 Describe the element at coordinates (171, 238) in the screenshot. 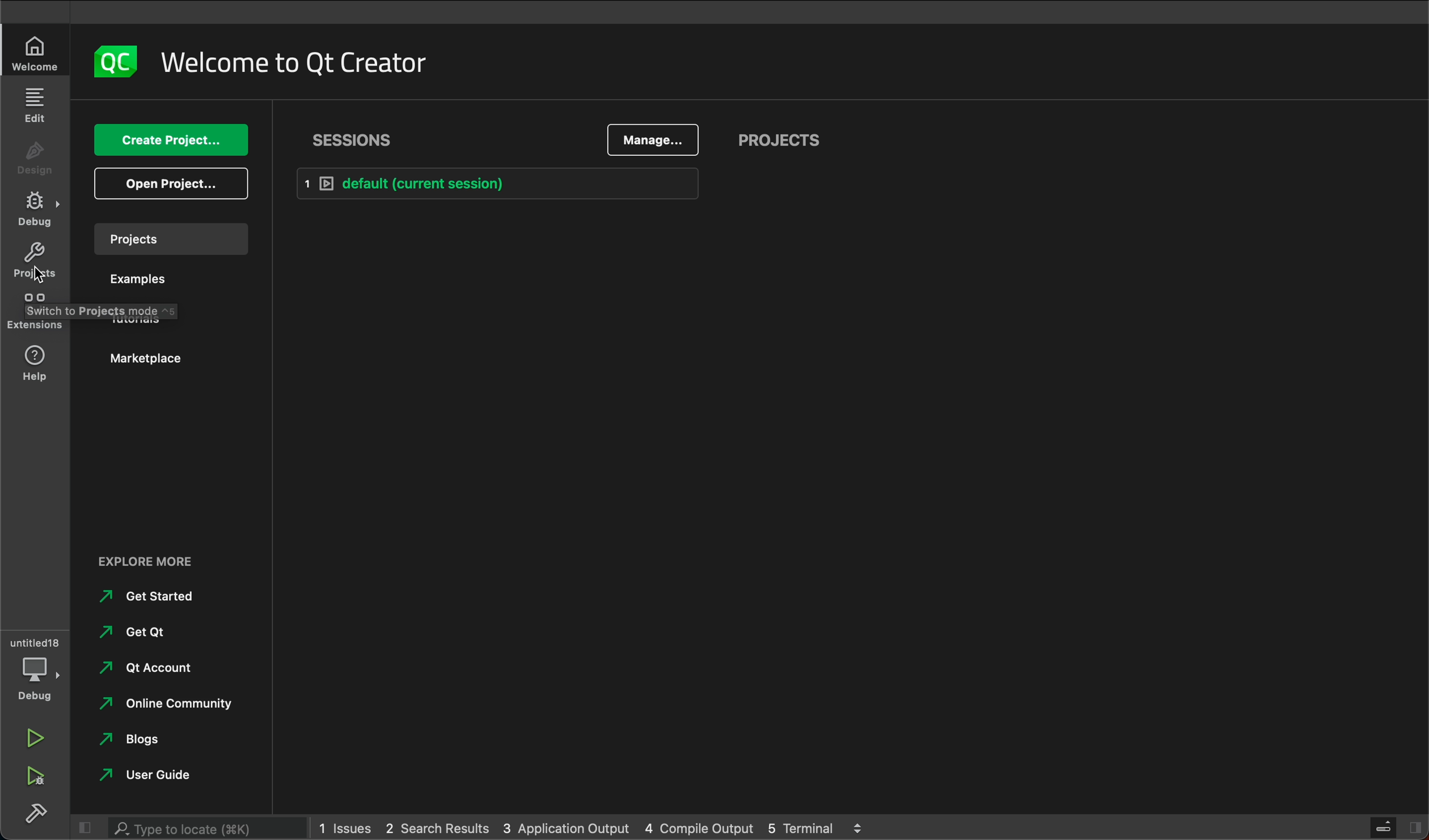

I see `projects` at that location.